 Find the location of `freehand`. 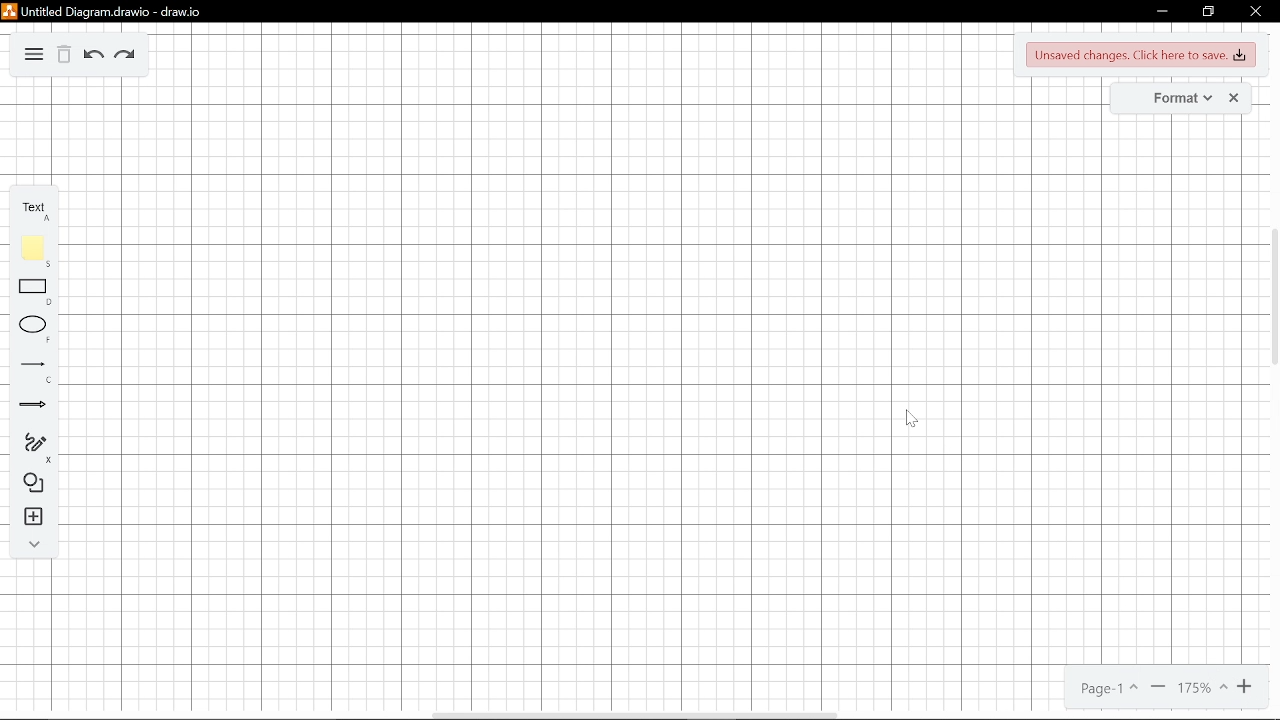

freehand is located at coordinates (27, 447).